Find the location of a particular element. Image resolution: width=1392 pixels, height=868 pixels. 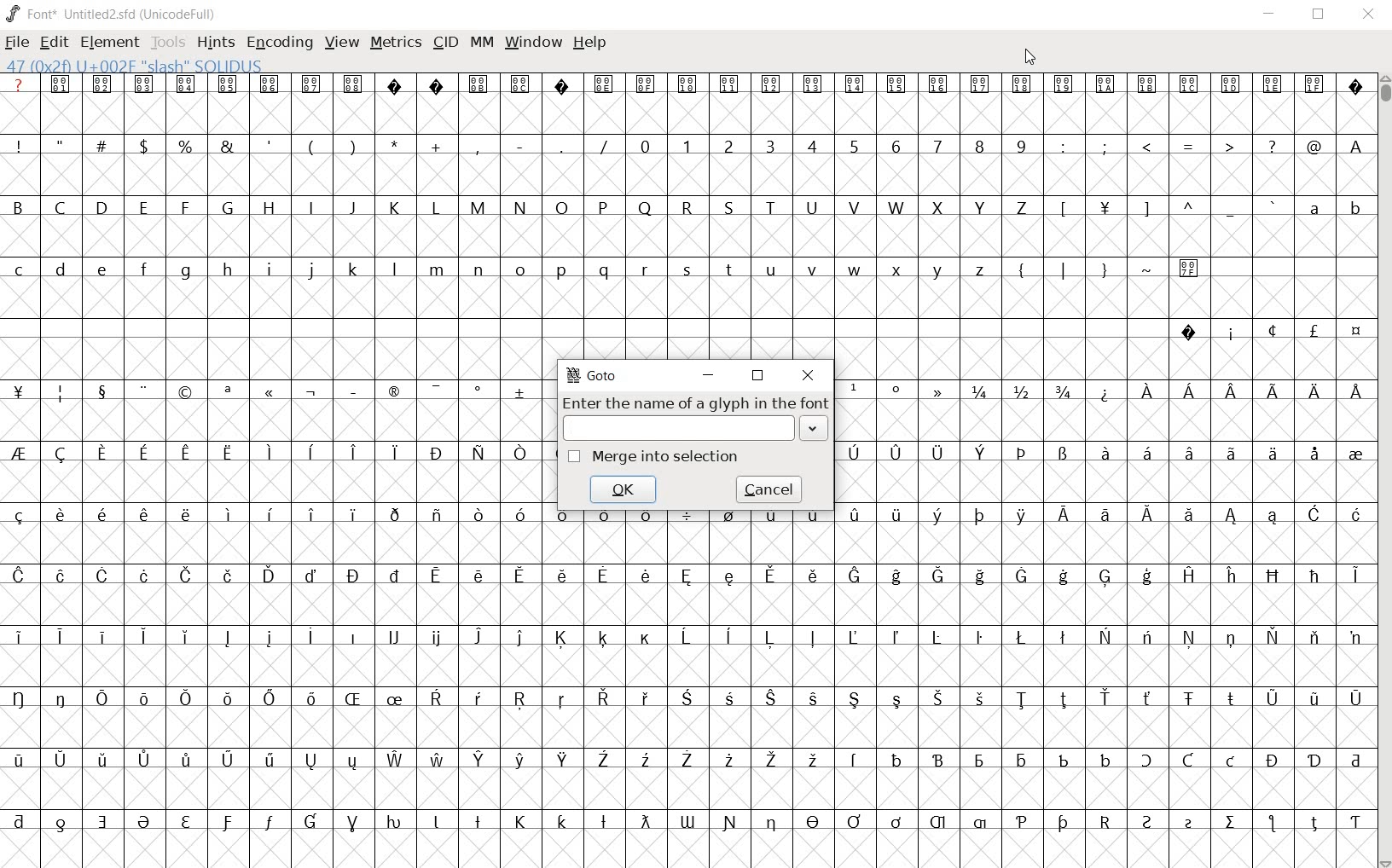

fractions is located at coordinates (1019, 388).